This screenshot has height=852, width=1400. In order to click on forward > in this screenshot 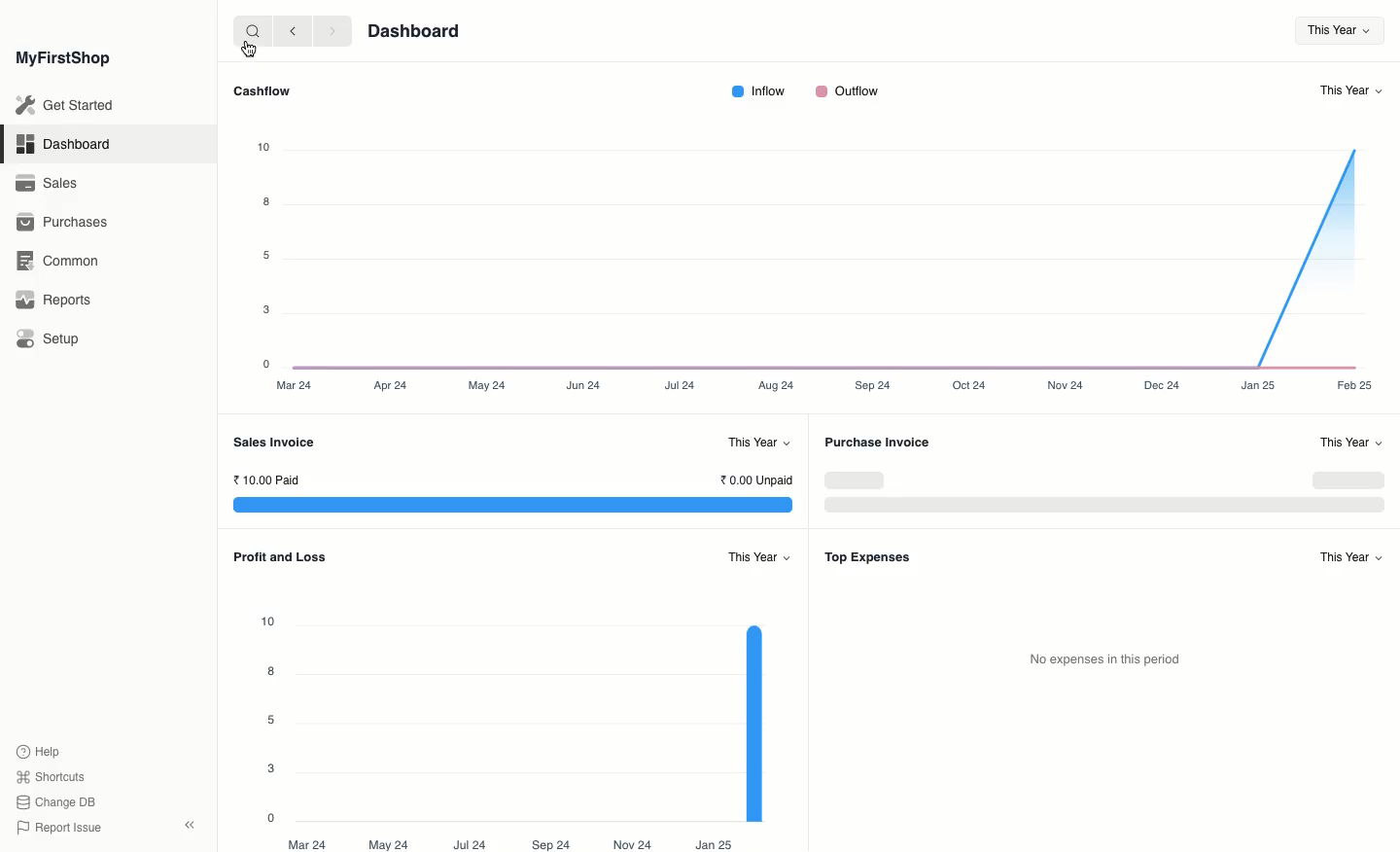, I will do `click(331, 33)`.